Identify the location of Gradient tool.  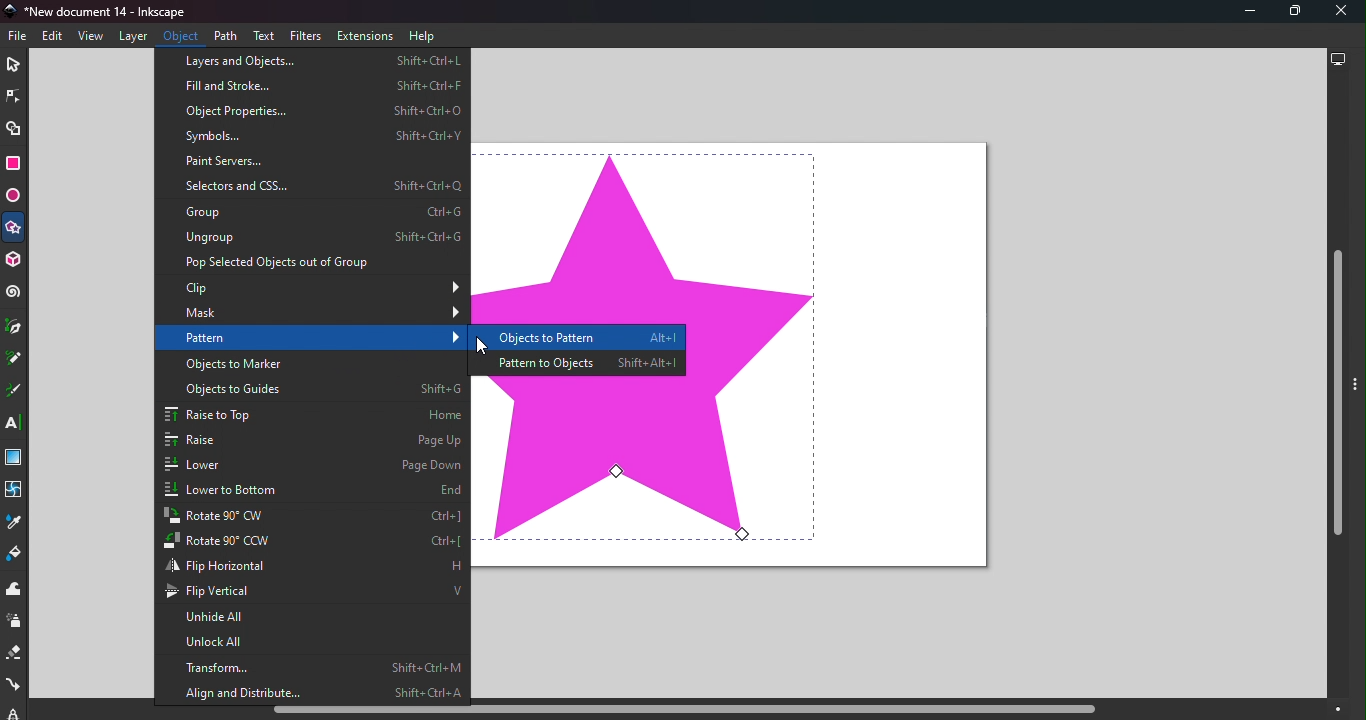
(15, 459).